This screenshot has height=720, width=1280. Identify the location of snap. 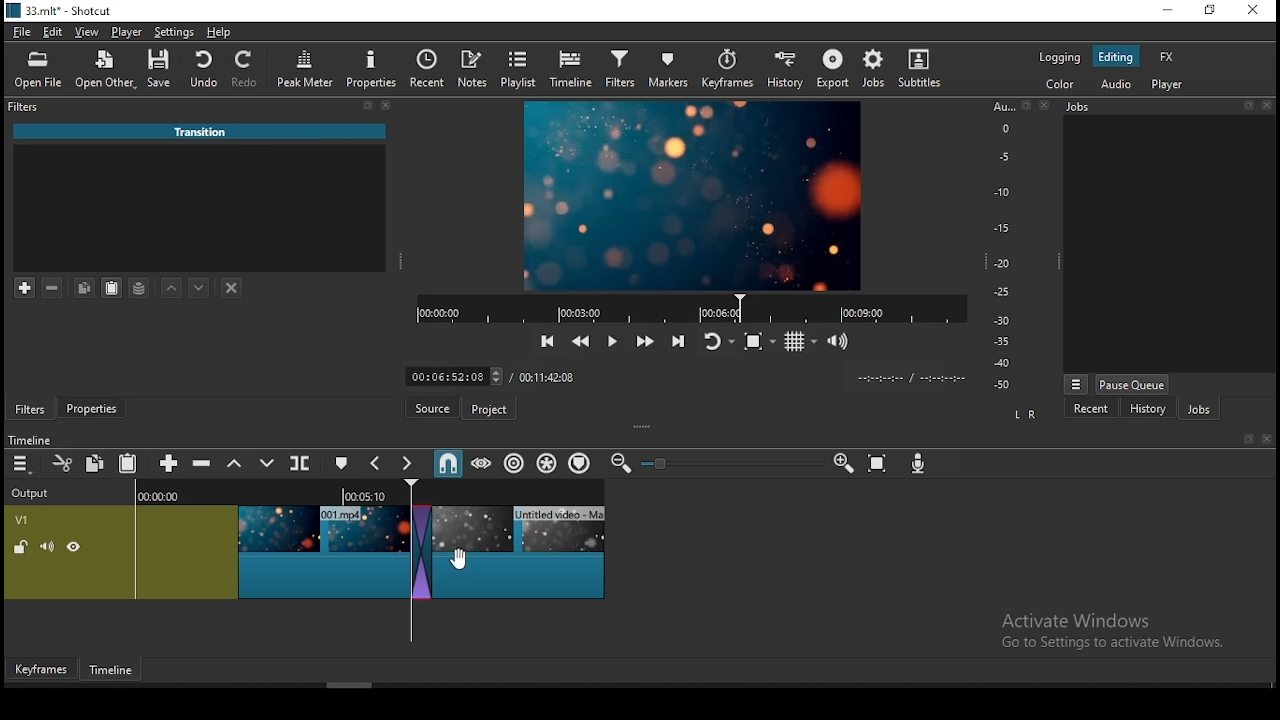
(451, 464).